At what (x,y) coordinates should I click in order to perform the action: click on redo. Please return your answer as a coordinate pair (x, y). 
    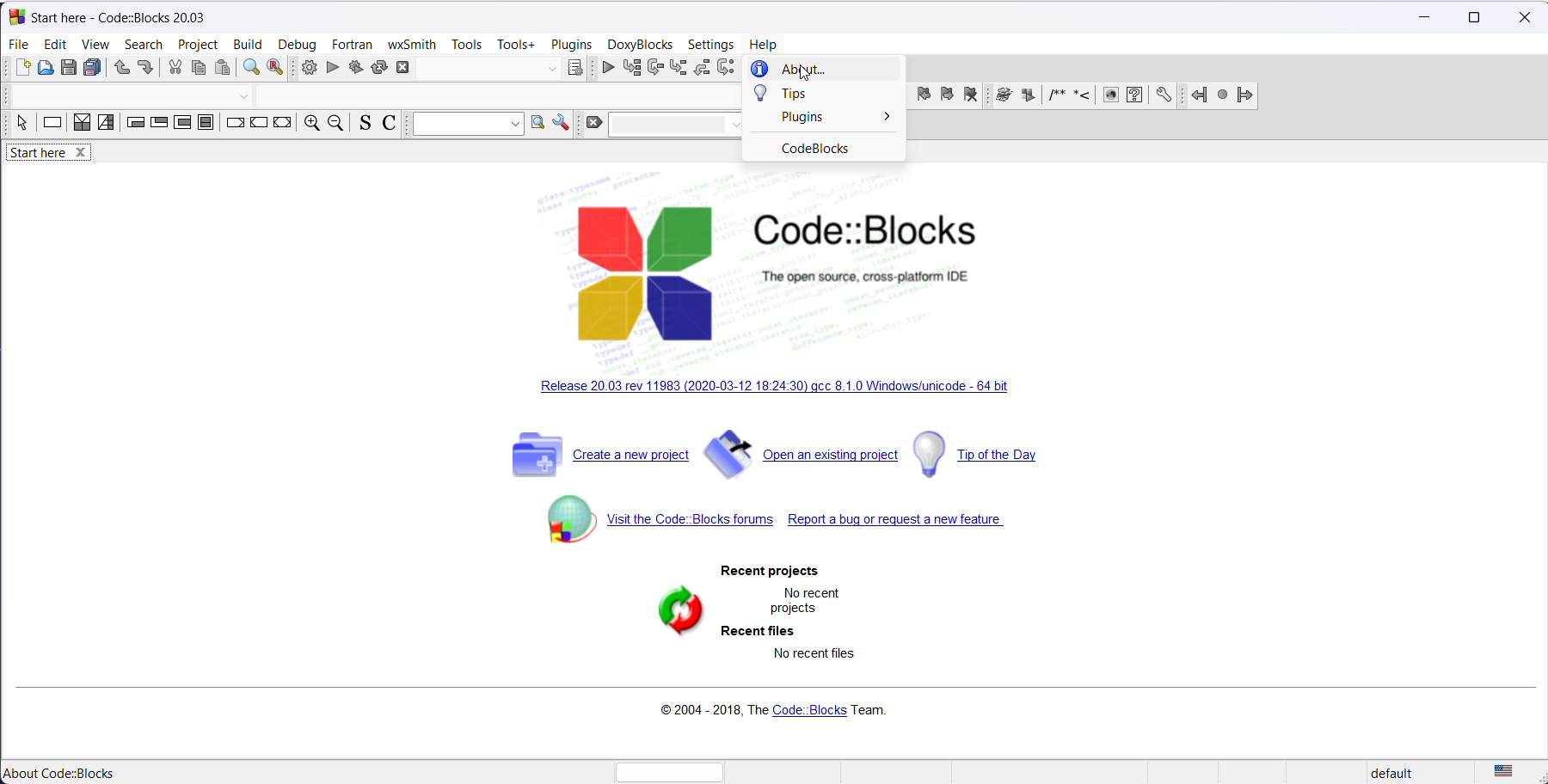
    Looking at the image, I should click on (145, 68).